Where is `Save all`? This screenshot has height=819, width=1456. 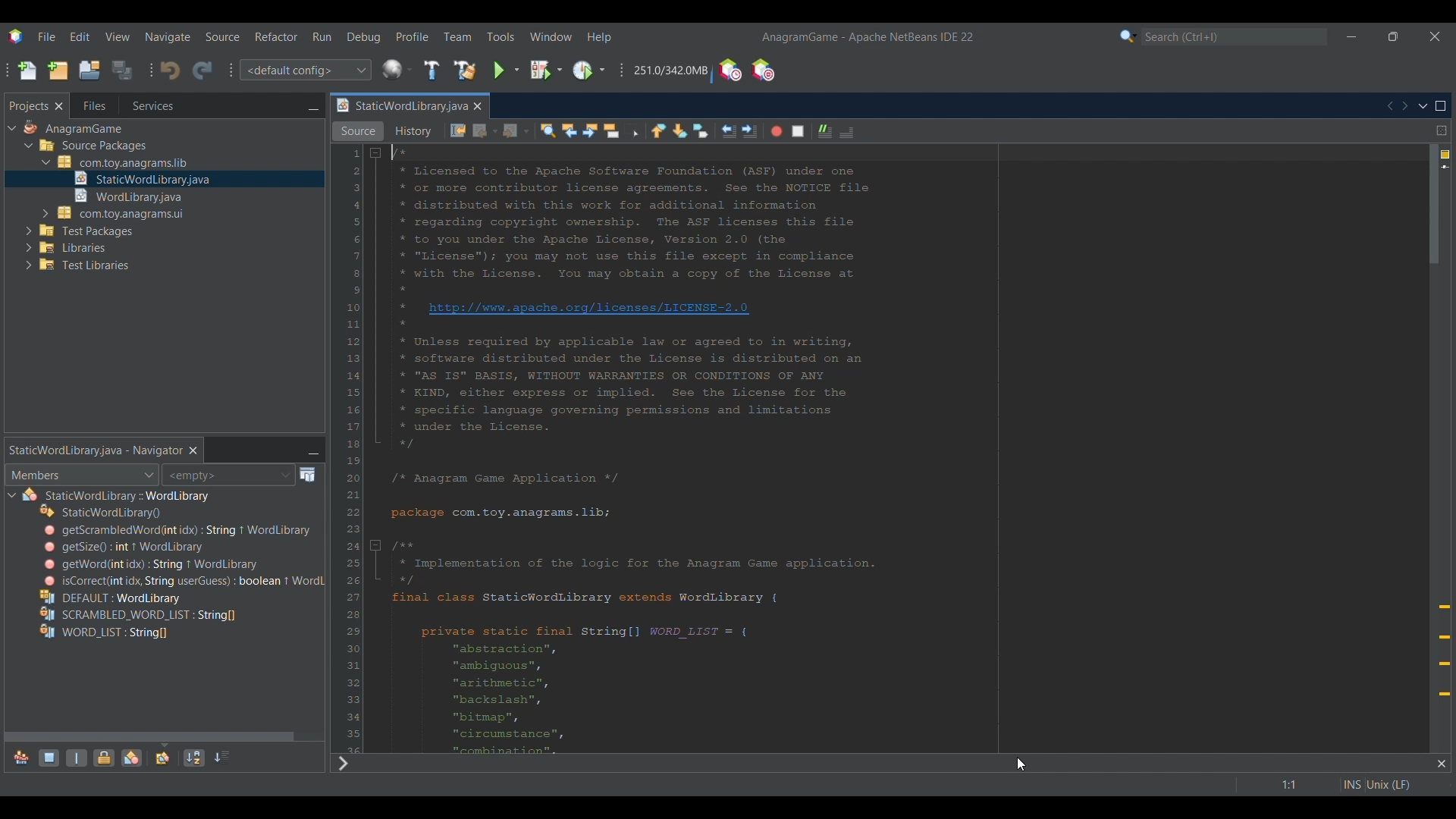
Save all is located at coordinates (124, 71).